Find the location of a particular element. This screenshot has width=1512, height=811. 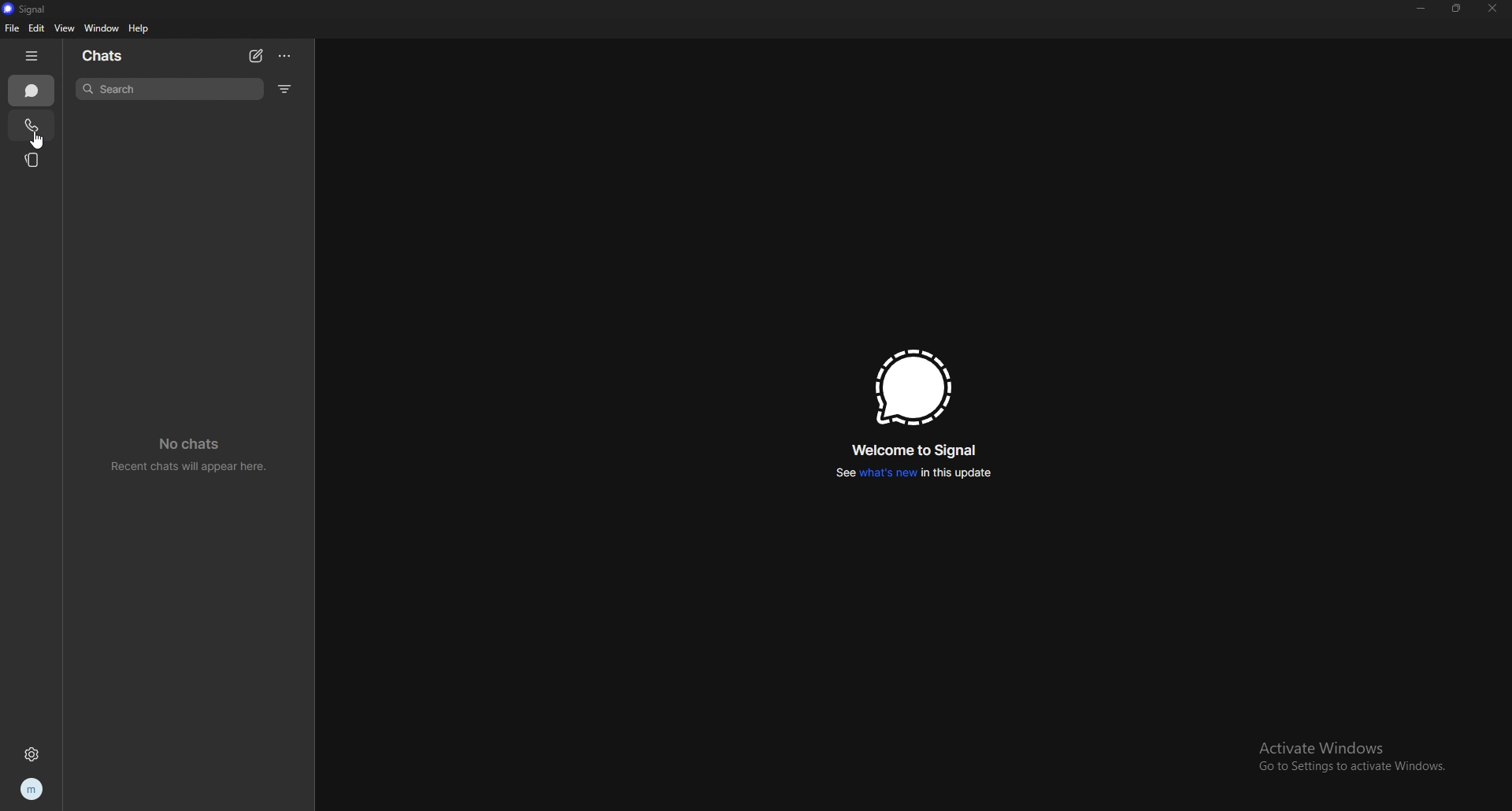

no chats recent chats will appear here is located at coordinates (187, 455).